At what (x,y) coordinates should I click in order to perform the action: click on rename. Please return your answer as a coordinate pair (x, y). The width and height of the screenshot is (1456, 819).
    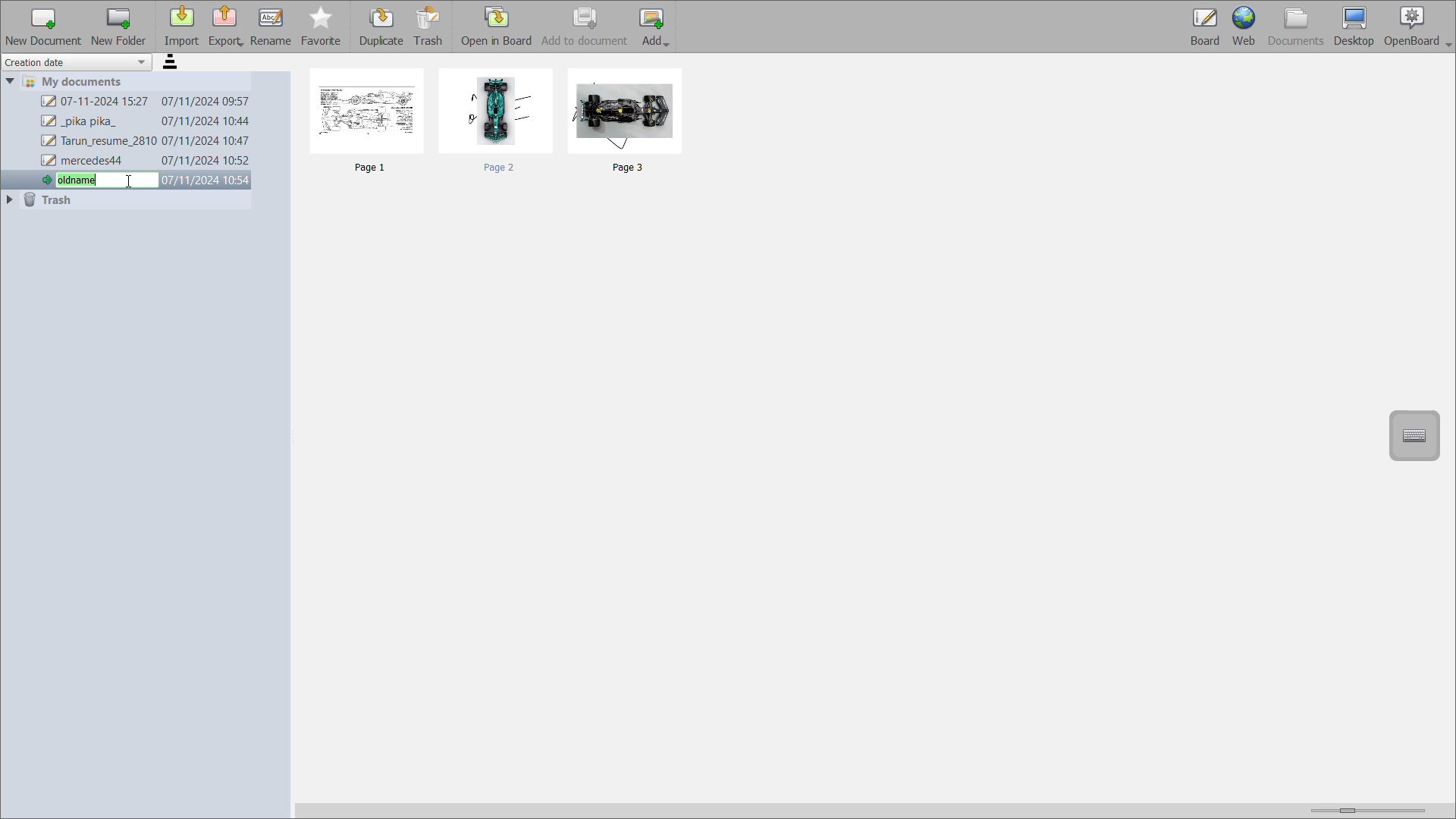
    Looking at the image, I should click on (273, 27).